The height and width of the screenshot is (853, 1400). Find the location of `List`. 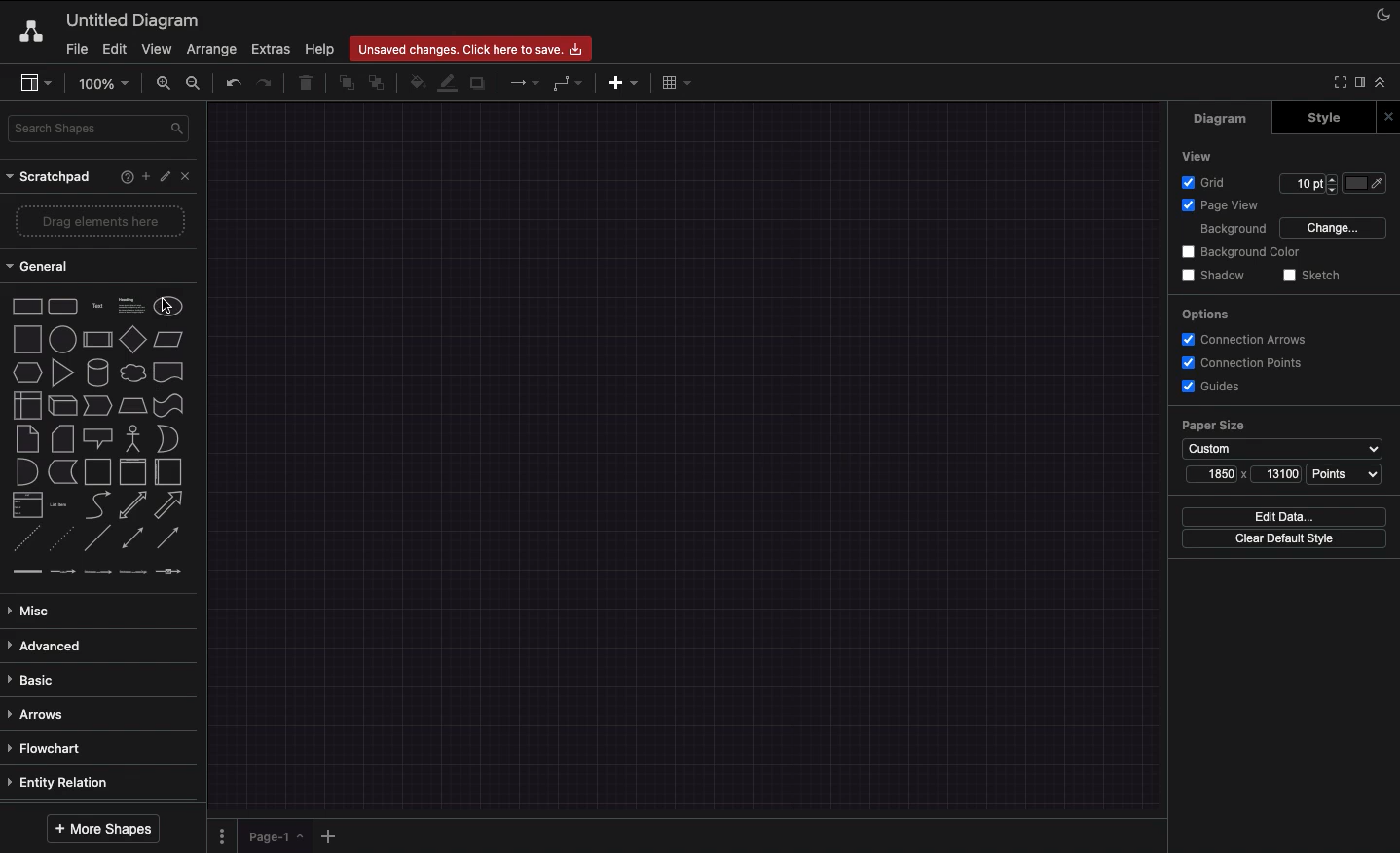

List is located at coordinates (25, 505).